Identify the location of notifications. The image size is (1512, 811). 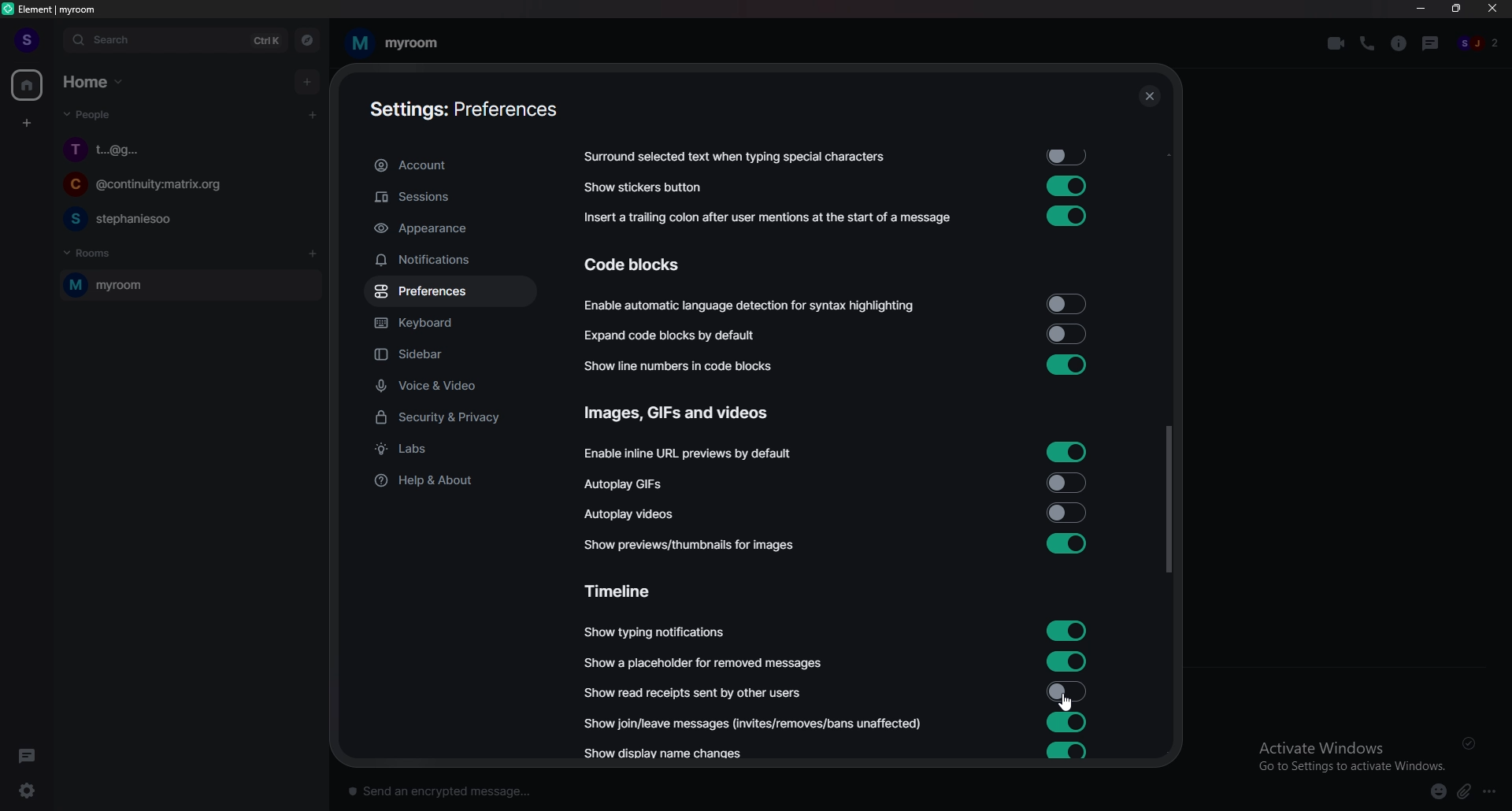
(447, 260).